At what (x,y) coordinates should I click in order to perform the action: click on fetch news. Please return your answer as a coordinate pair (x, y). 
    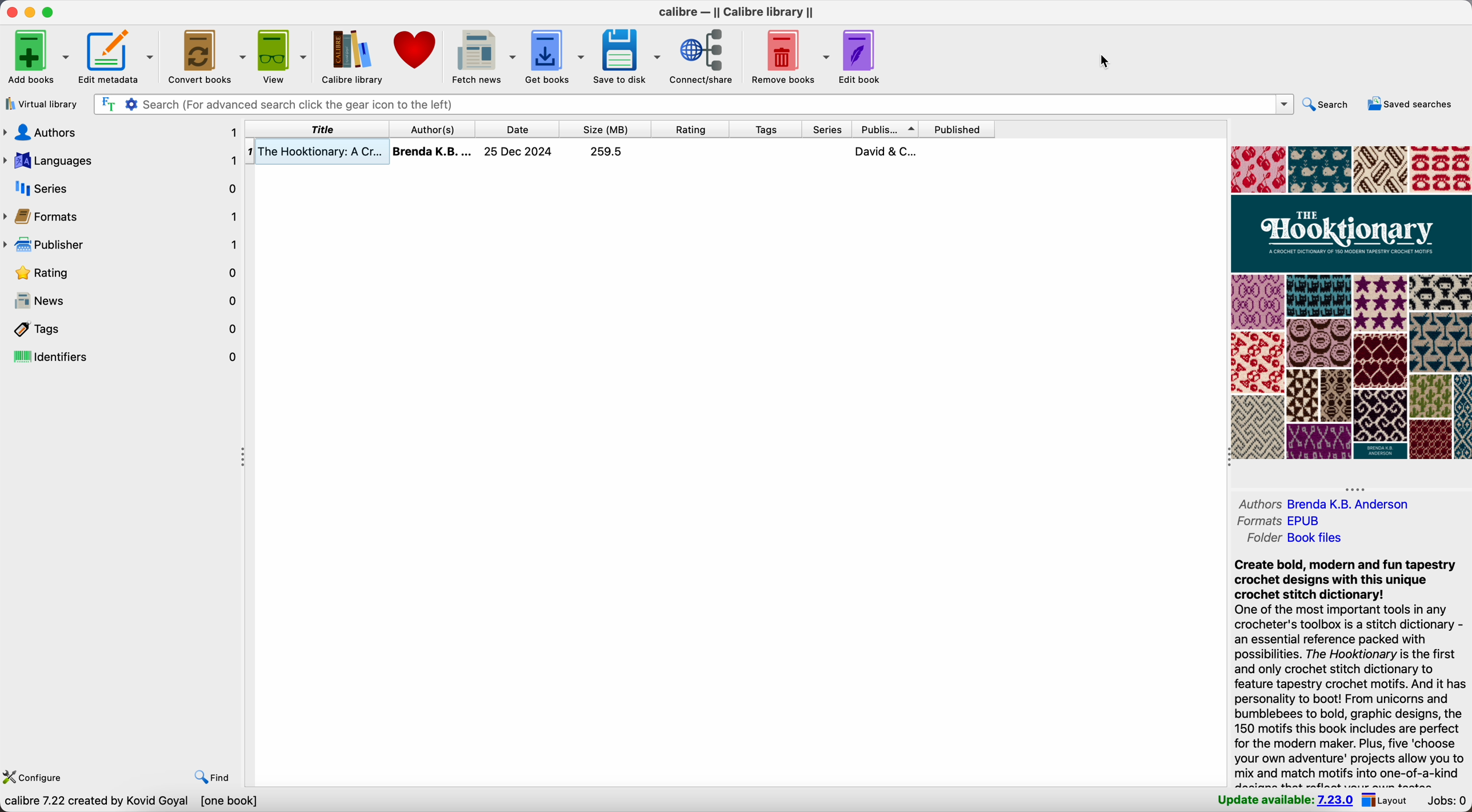
    Looking at the image, I should click on (483, 54).